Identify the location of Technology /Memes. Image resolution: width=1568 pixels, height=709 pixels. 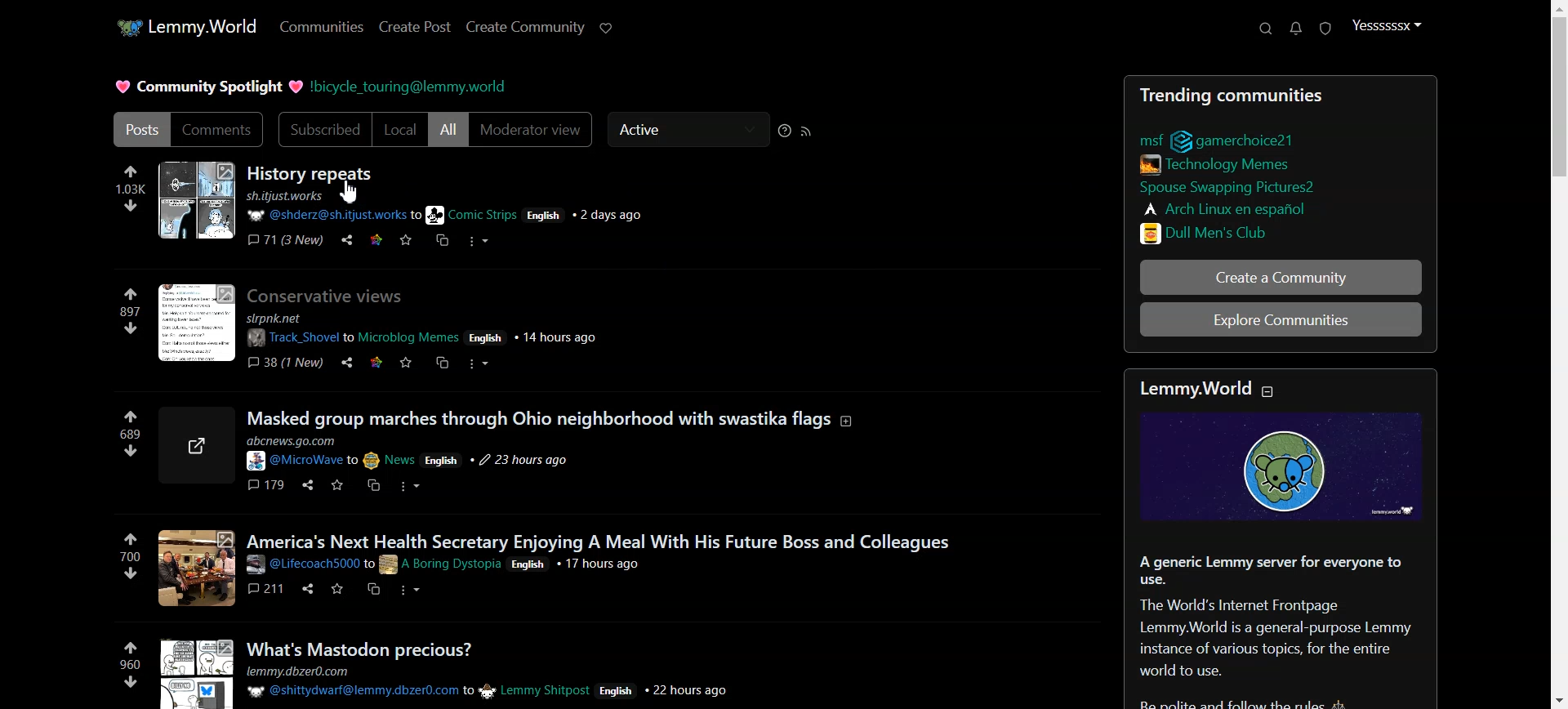
(1218, 164).